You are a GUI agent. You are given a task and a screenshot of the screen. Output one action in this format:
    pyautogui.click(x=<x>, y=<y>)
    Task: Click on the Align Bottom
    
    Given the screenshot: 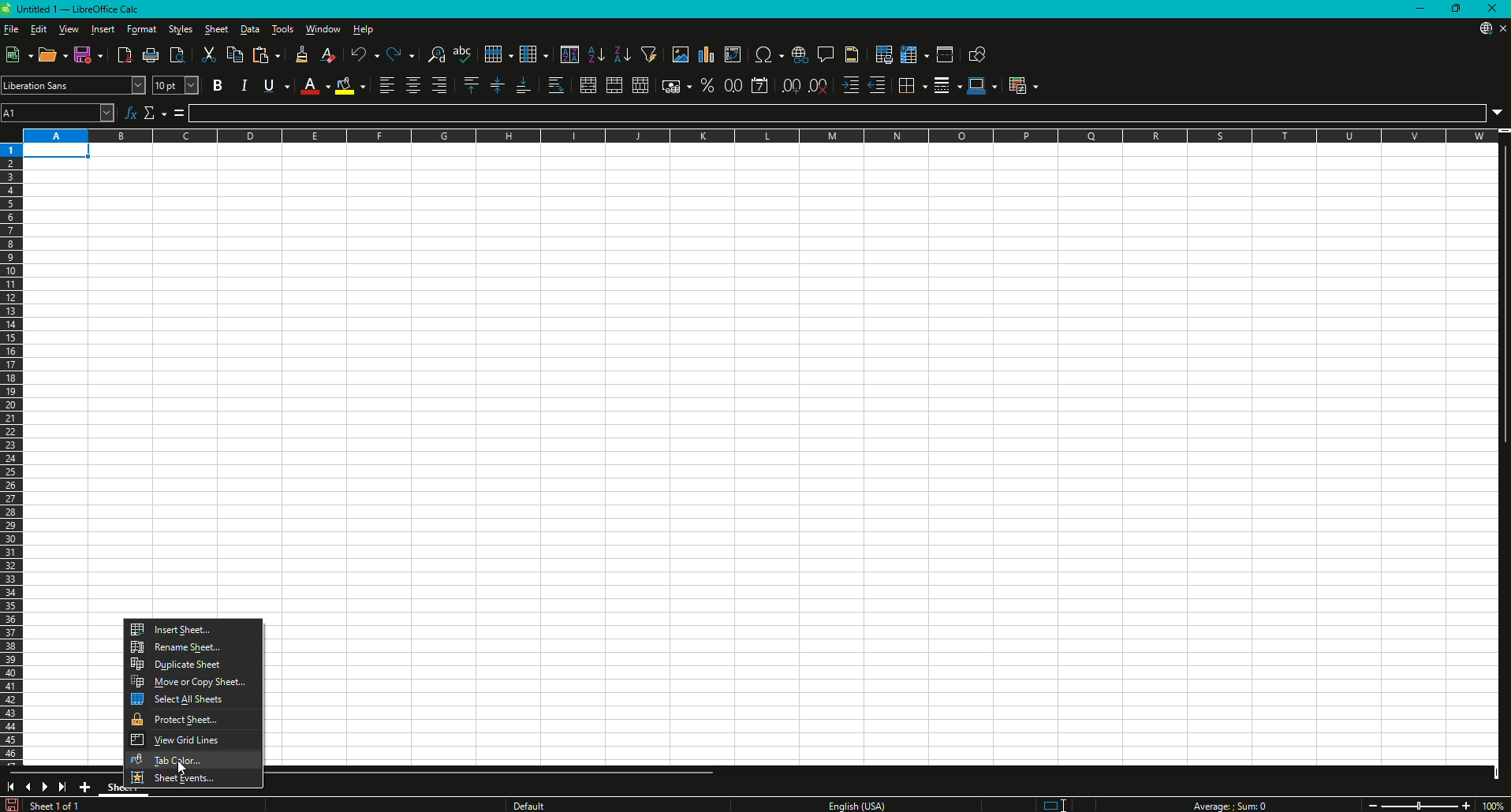 What is the action you would take?
    pyautogui.click(x=524, y=85)
    